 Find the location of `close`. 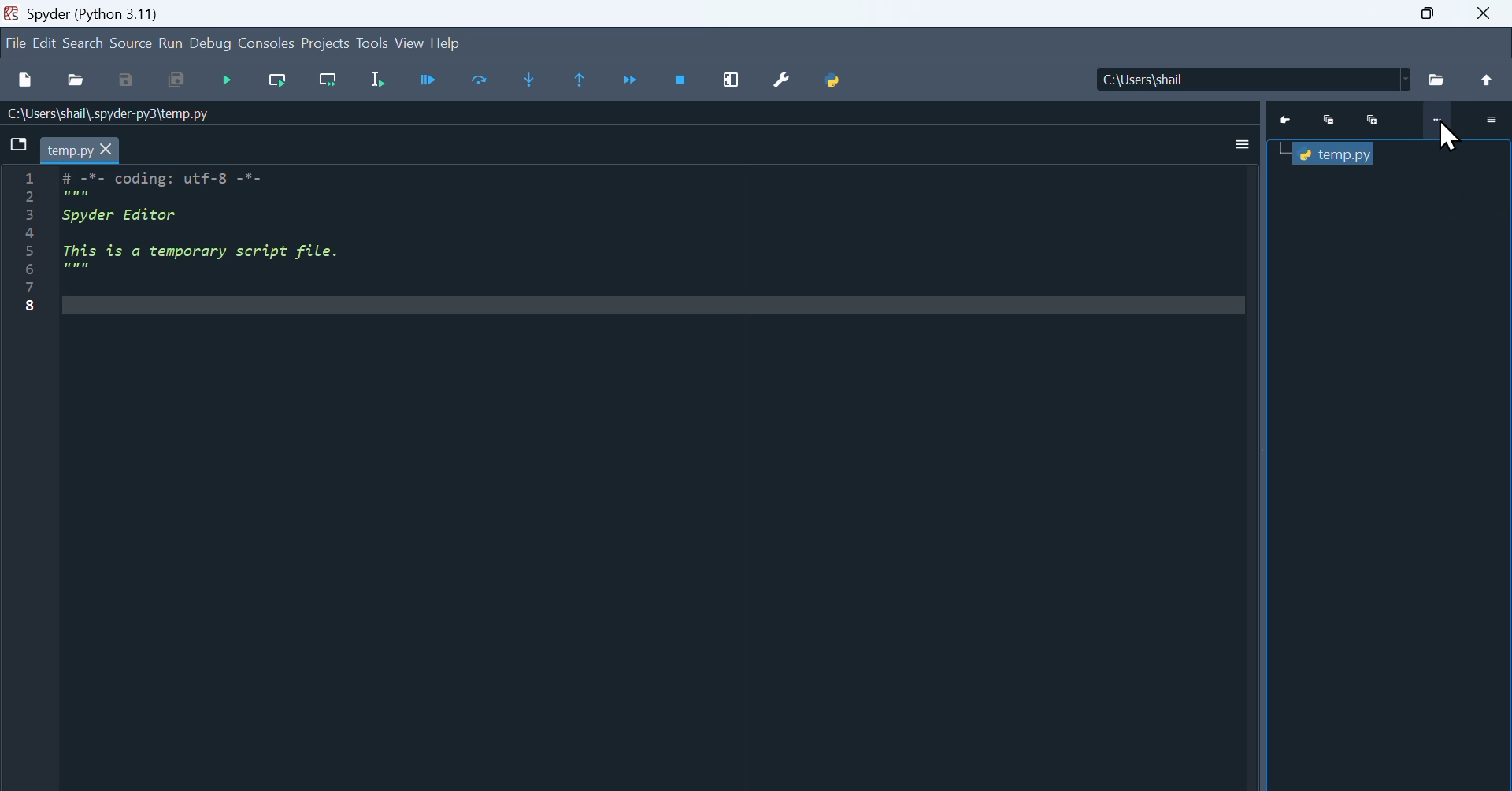

close is located at coordinates (1487, 13).